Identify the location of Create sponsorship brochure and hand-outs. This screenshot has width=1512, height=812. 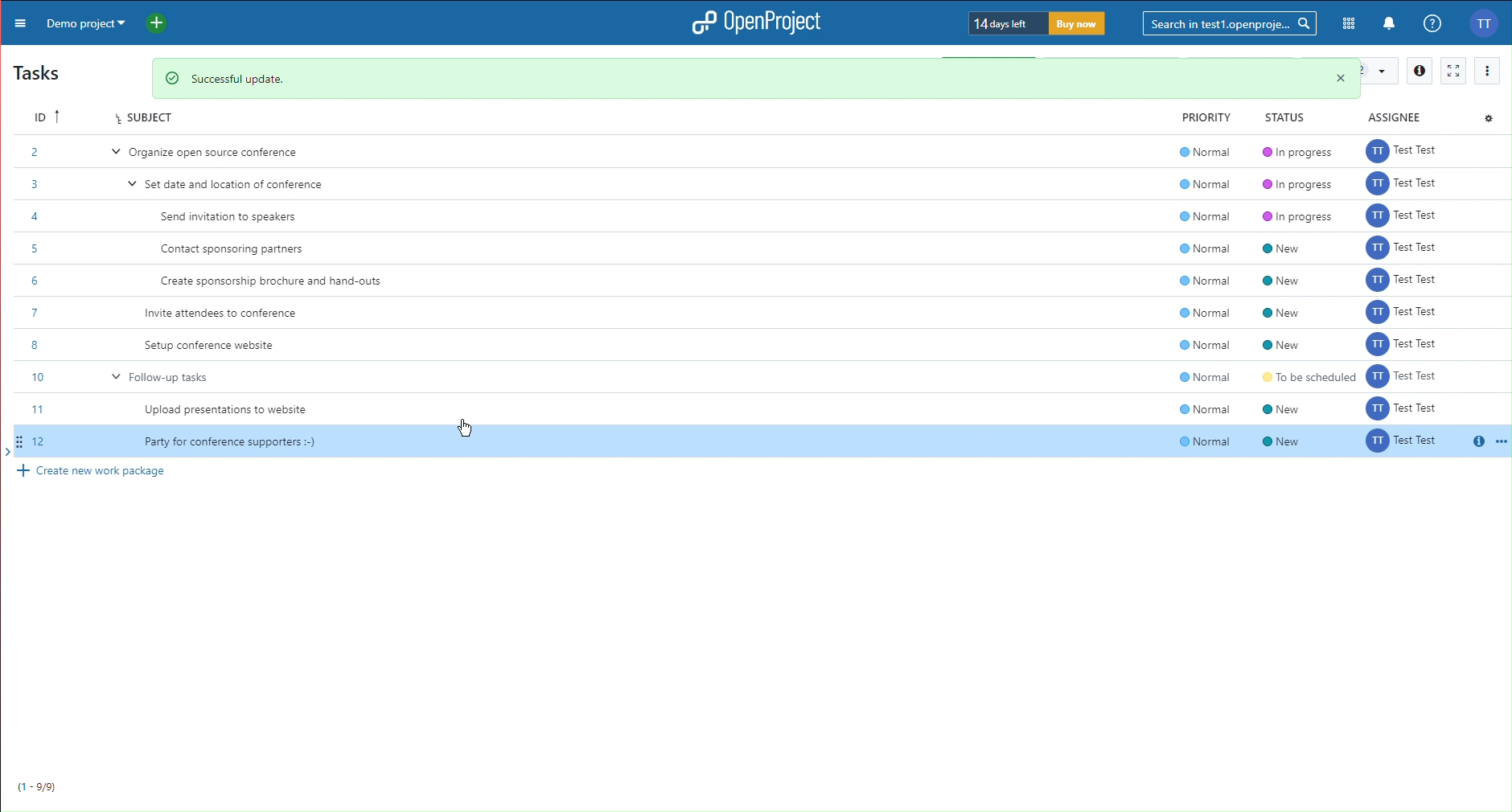
(272, 280).